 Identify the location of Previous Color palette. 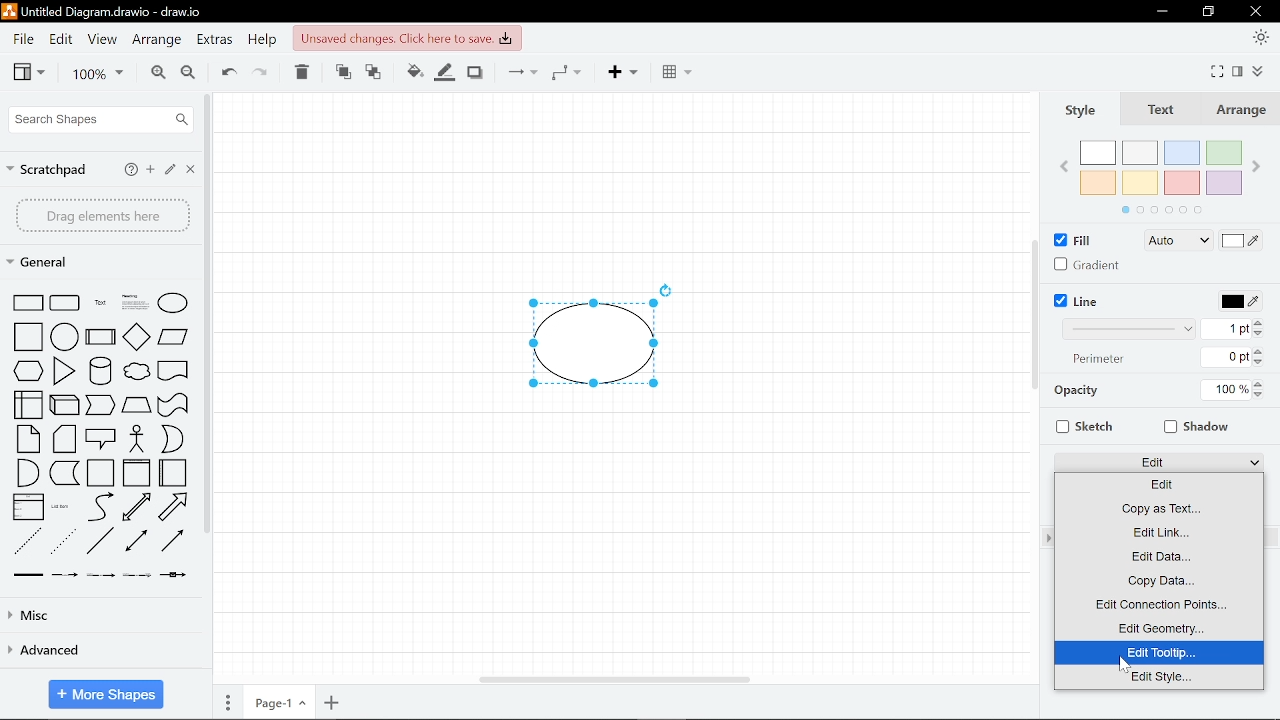
(1061, 165).